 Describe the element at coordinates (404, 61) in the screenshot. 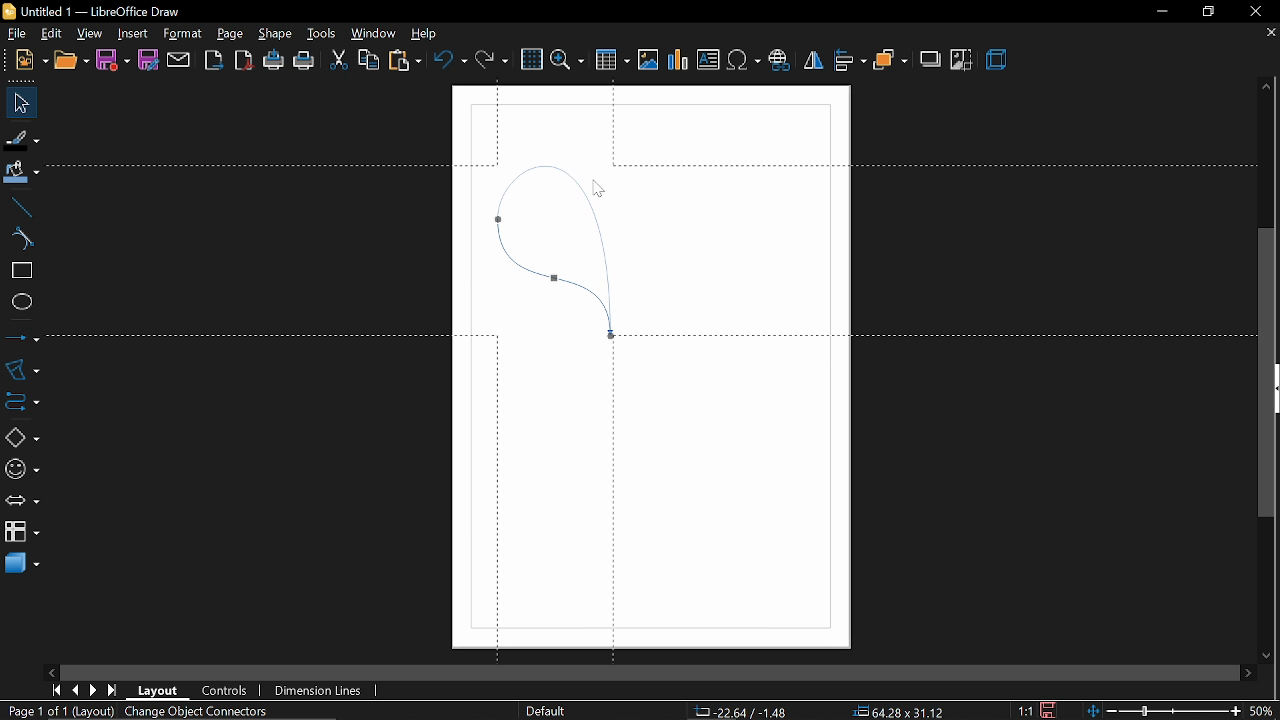

I see `paste` at that location.